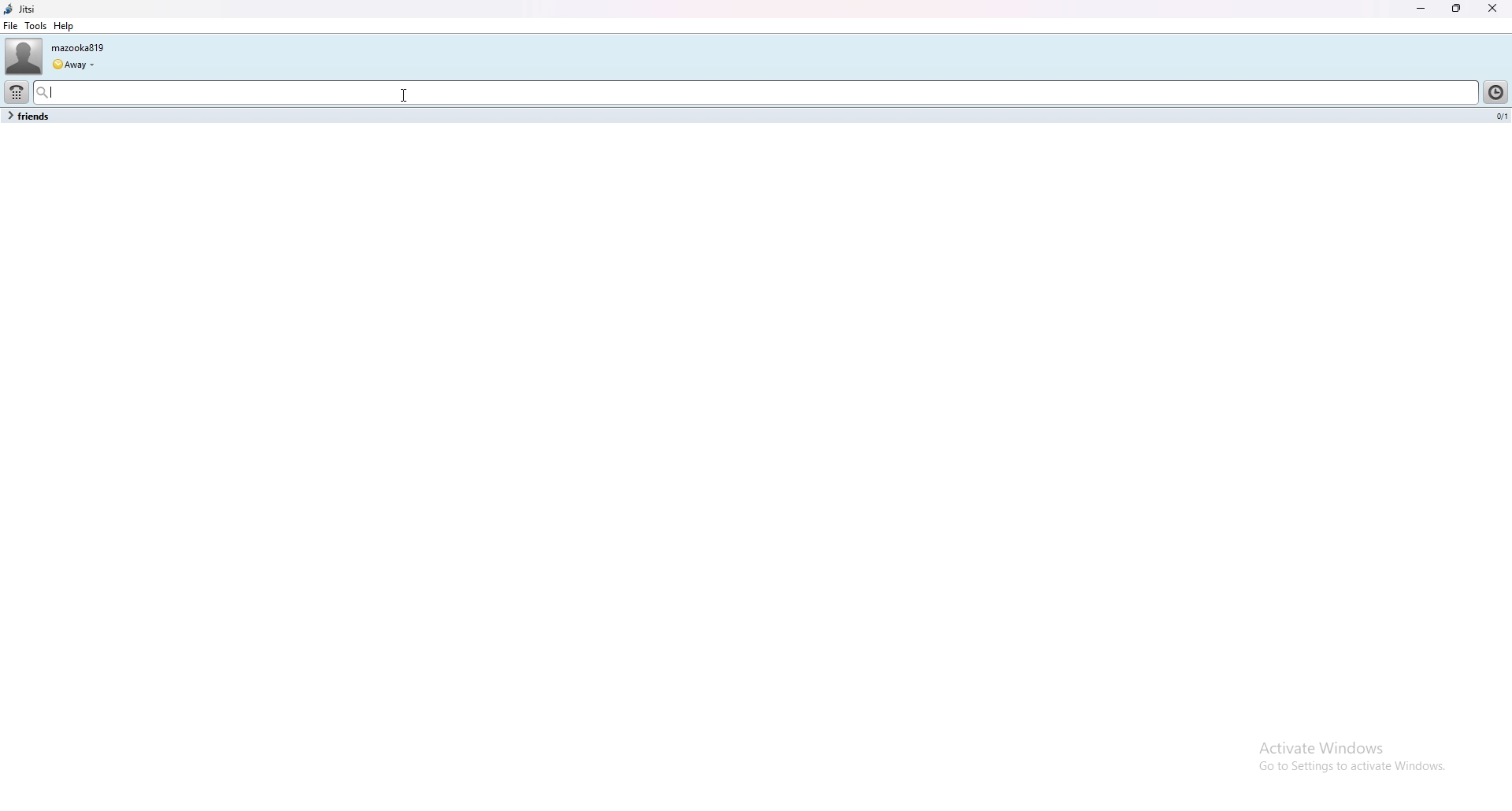 This screenshot has height=811, width=1512. I want to click on mazooka819, so click(88, 46).